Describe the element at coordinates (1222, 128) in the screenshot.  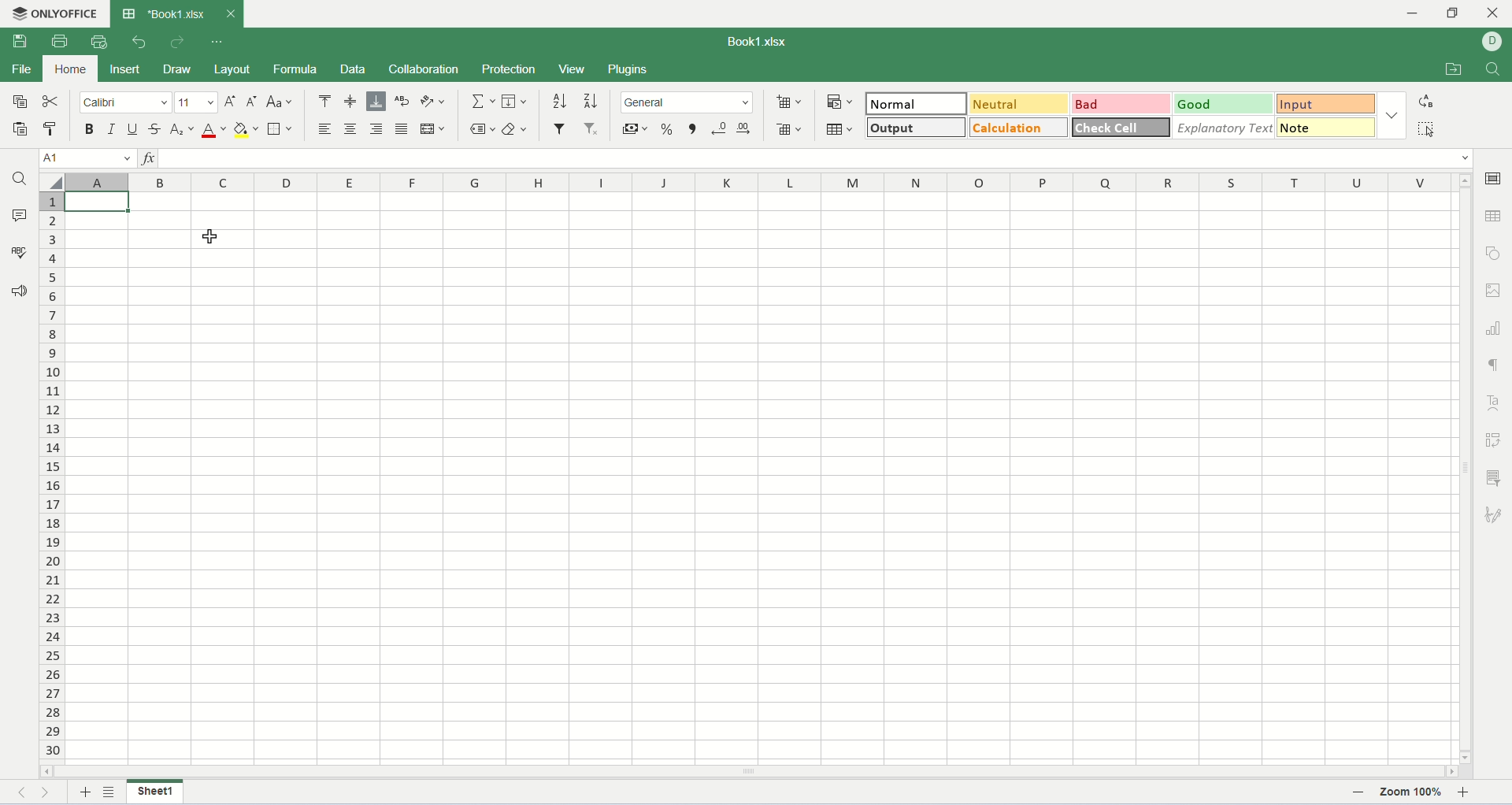
I see `explanatory text` at that location.